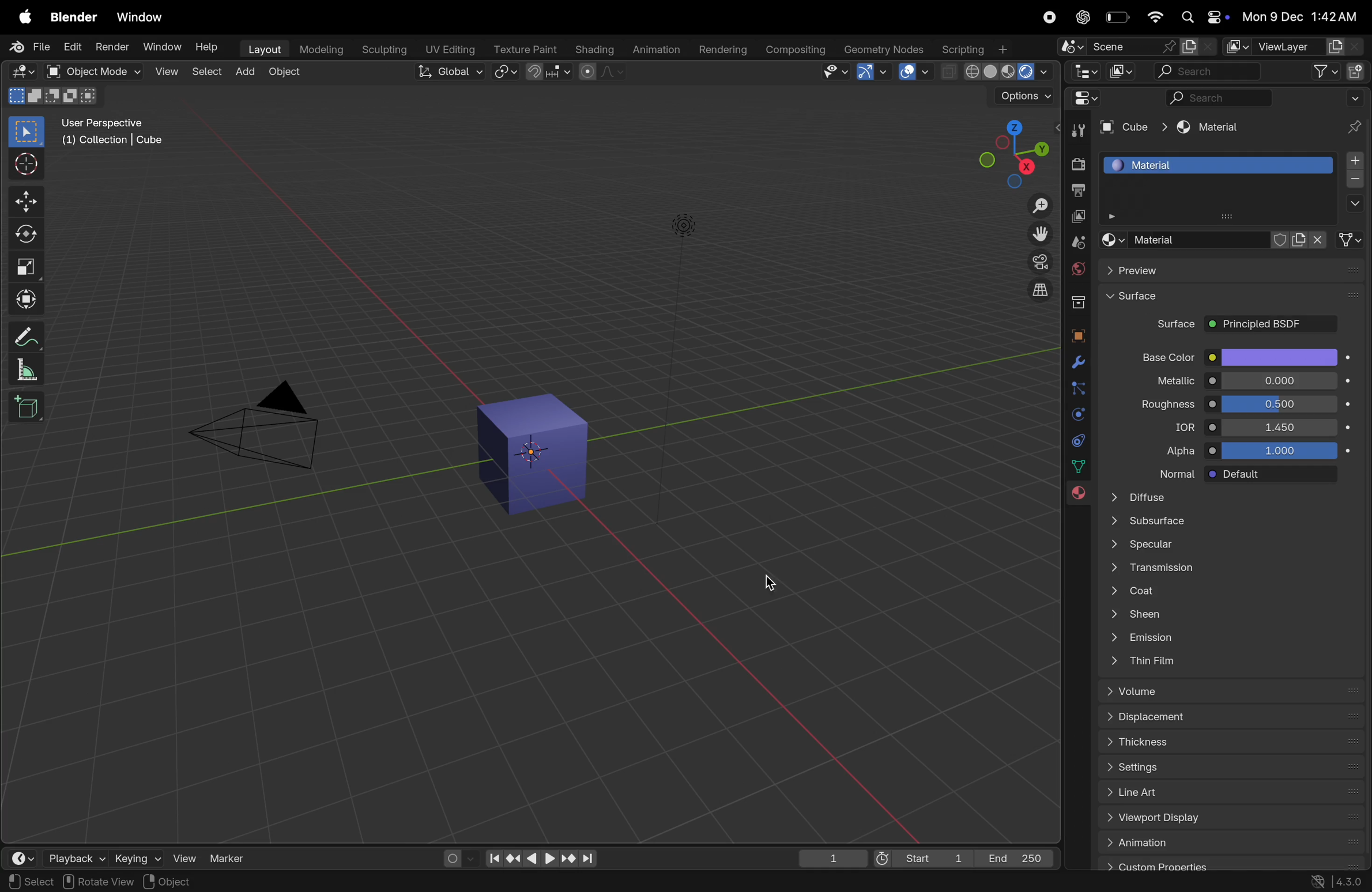  Describe the element at coordinates (73, 46) in the screenshot. I see `Edit` at that location.